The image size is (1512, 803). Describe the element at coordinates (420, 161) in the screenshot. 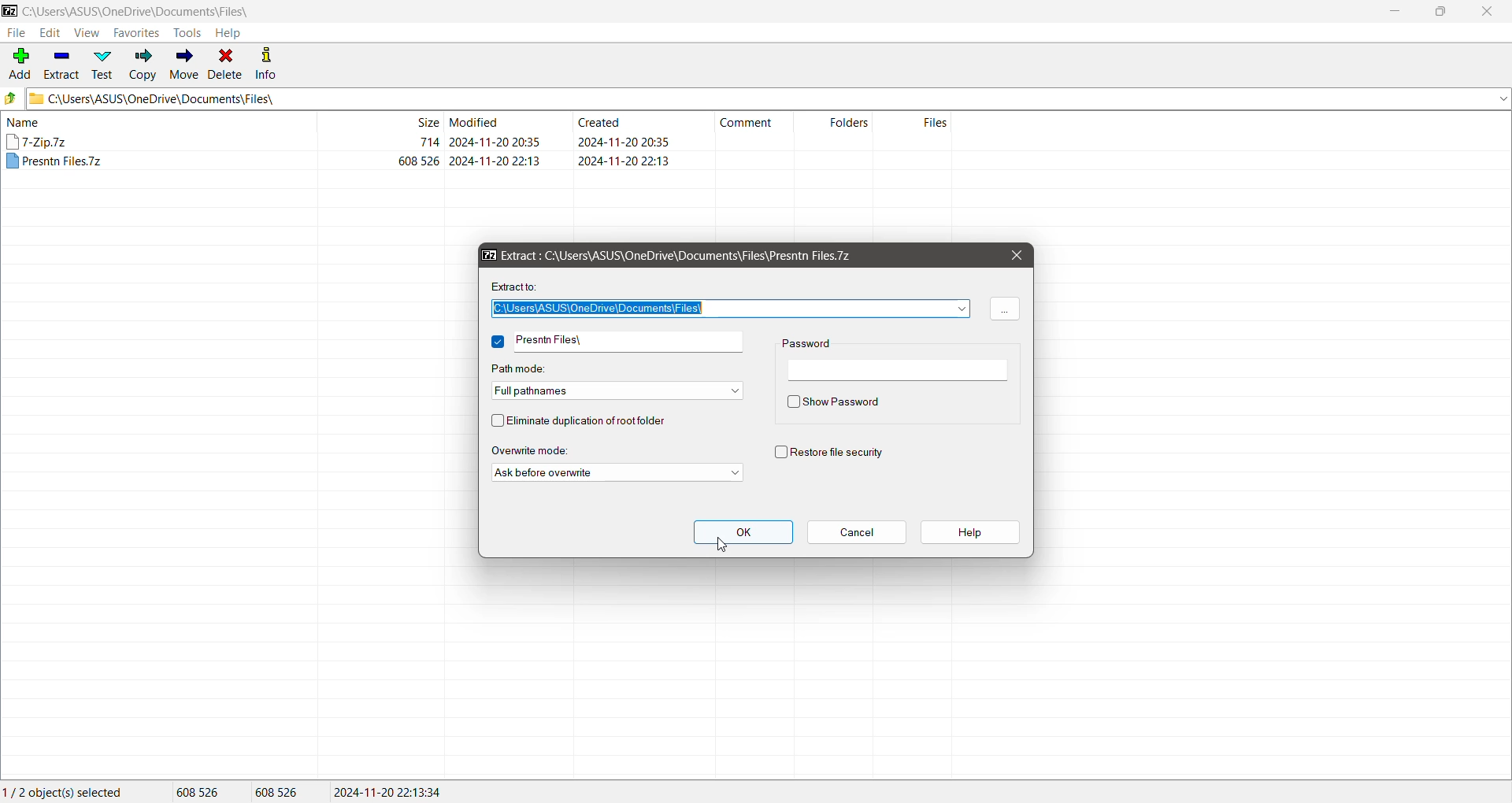

I see `size` at that location.